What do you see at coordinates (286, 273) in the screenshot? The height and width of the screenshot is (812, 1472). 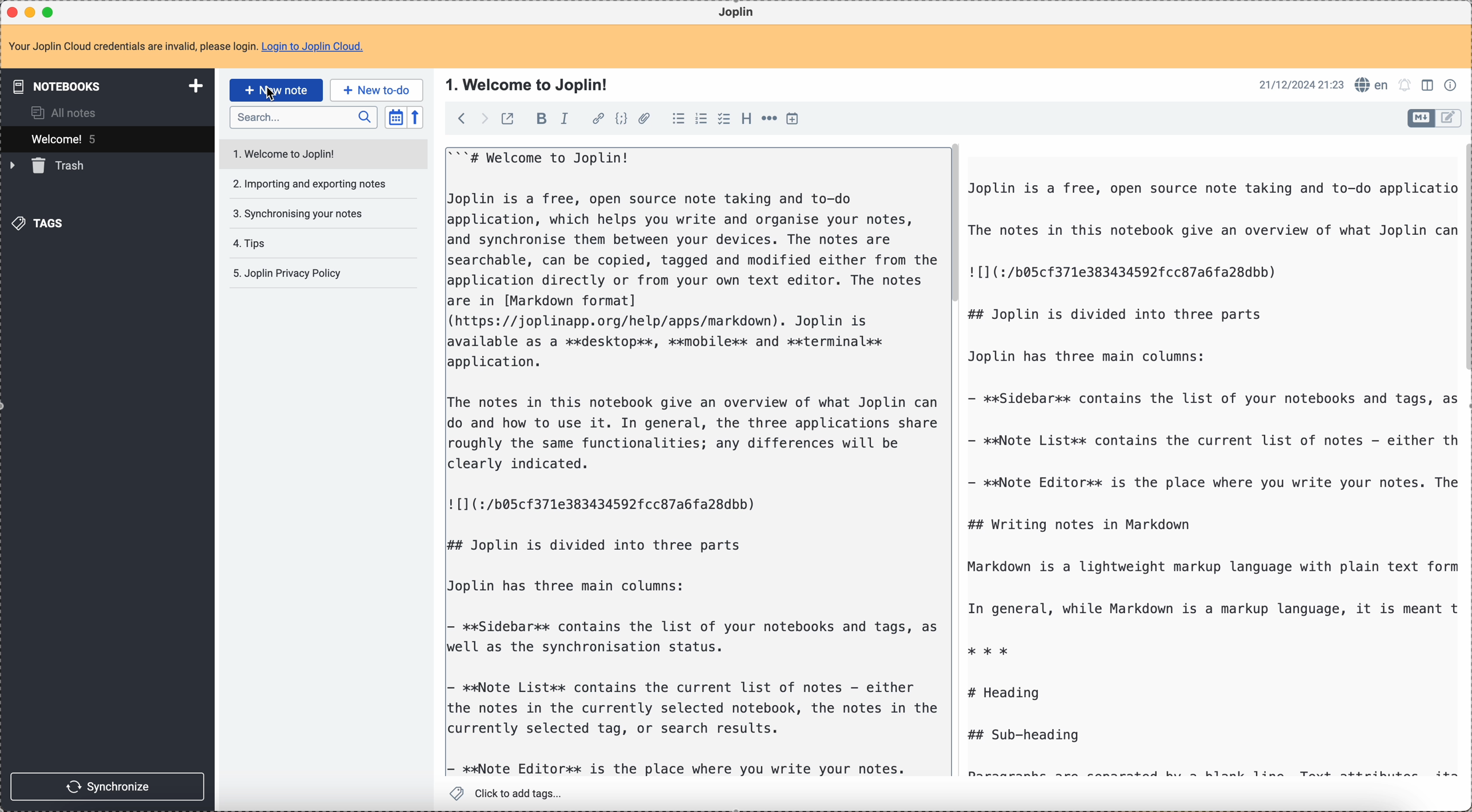 I see `Joplin privacy policy` at bounding box center [286, 273].